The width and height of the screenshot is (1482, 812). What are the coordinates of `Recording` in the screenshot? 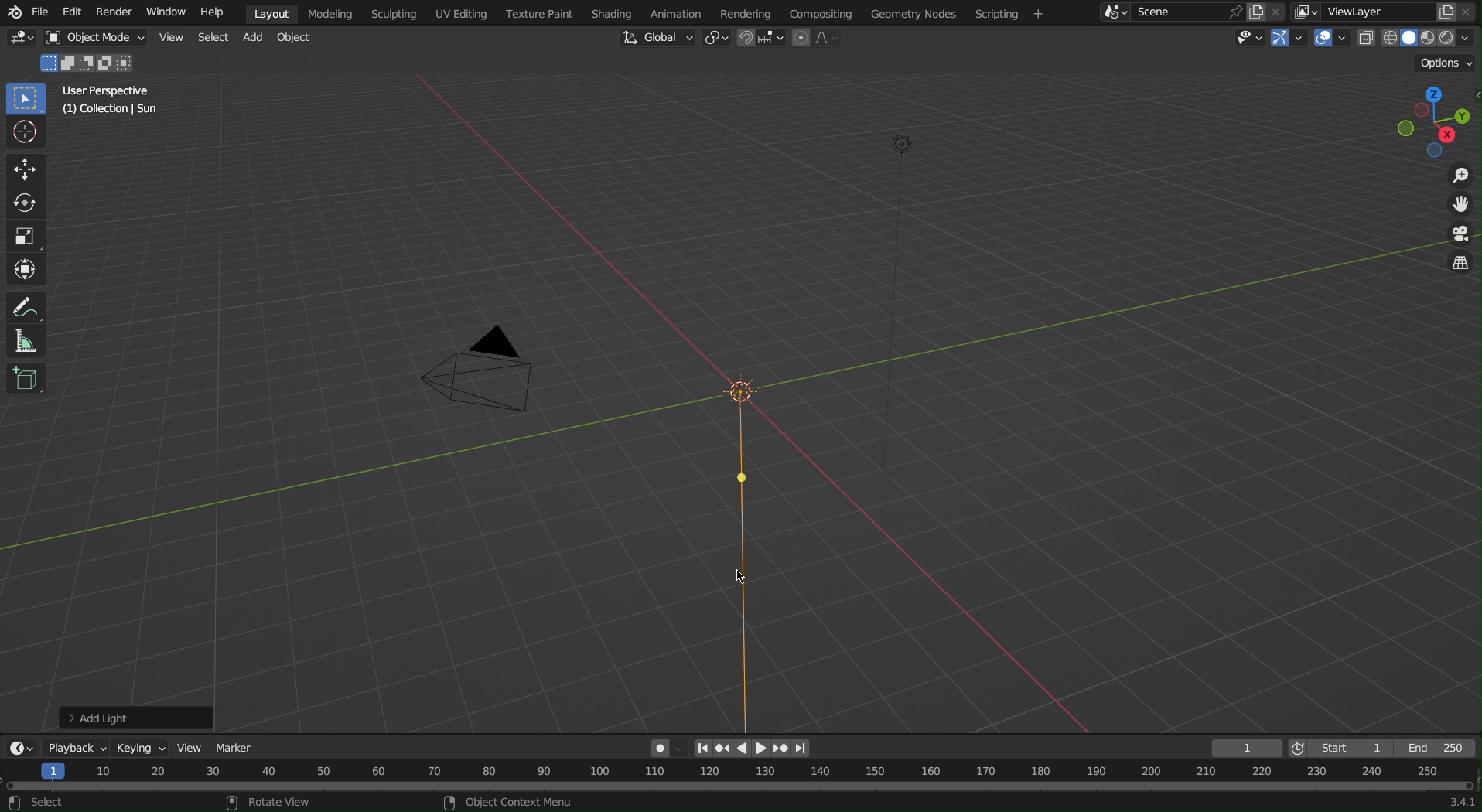 It's located at (667, 747).